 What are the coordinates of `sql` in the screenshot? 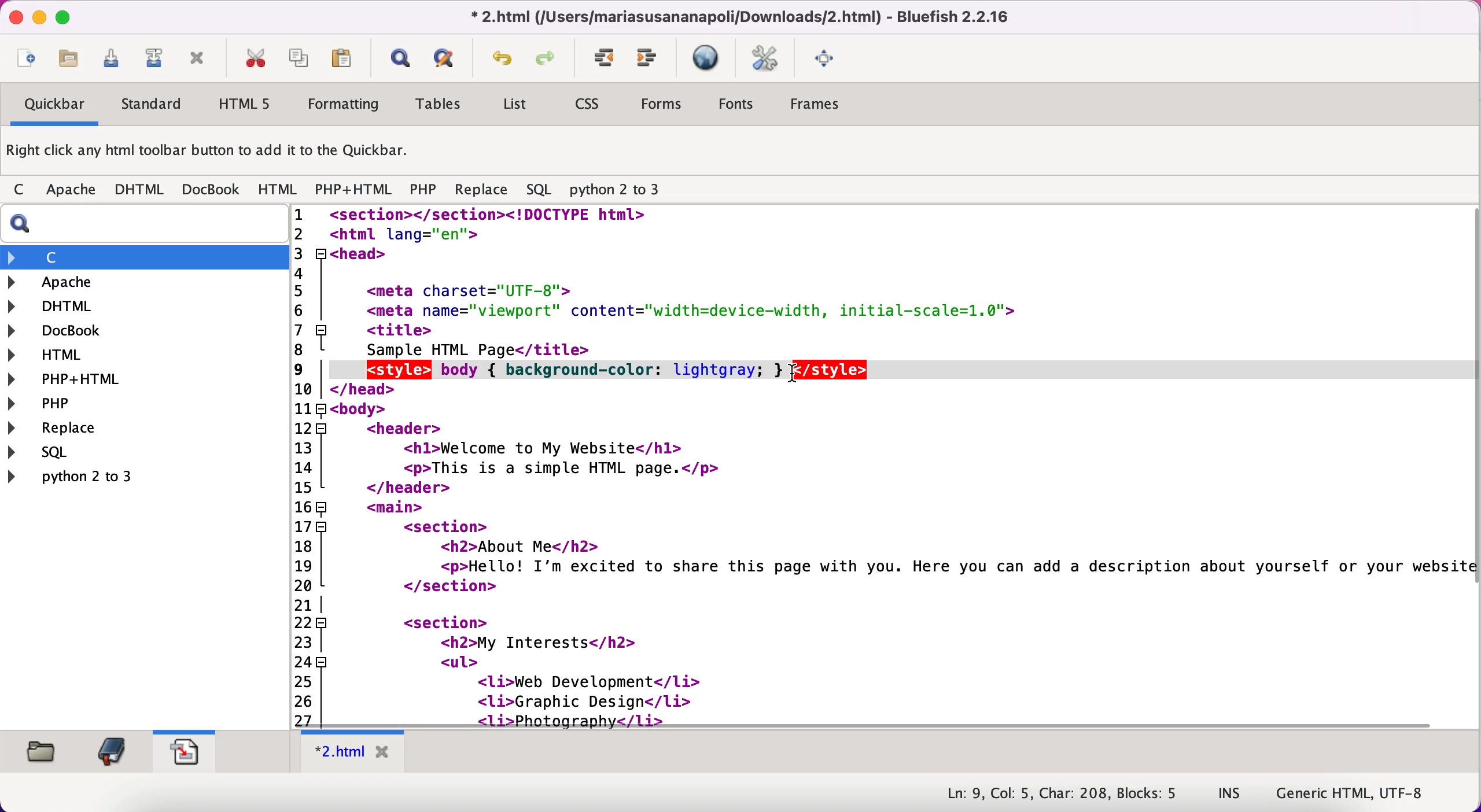 It's located at (91, 452).